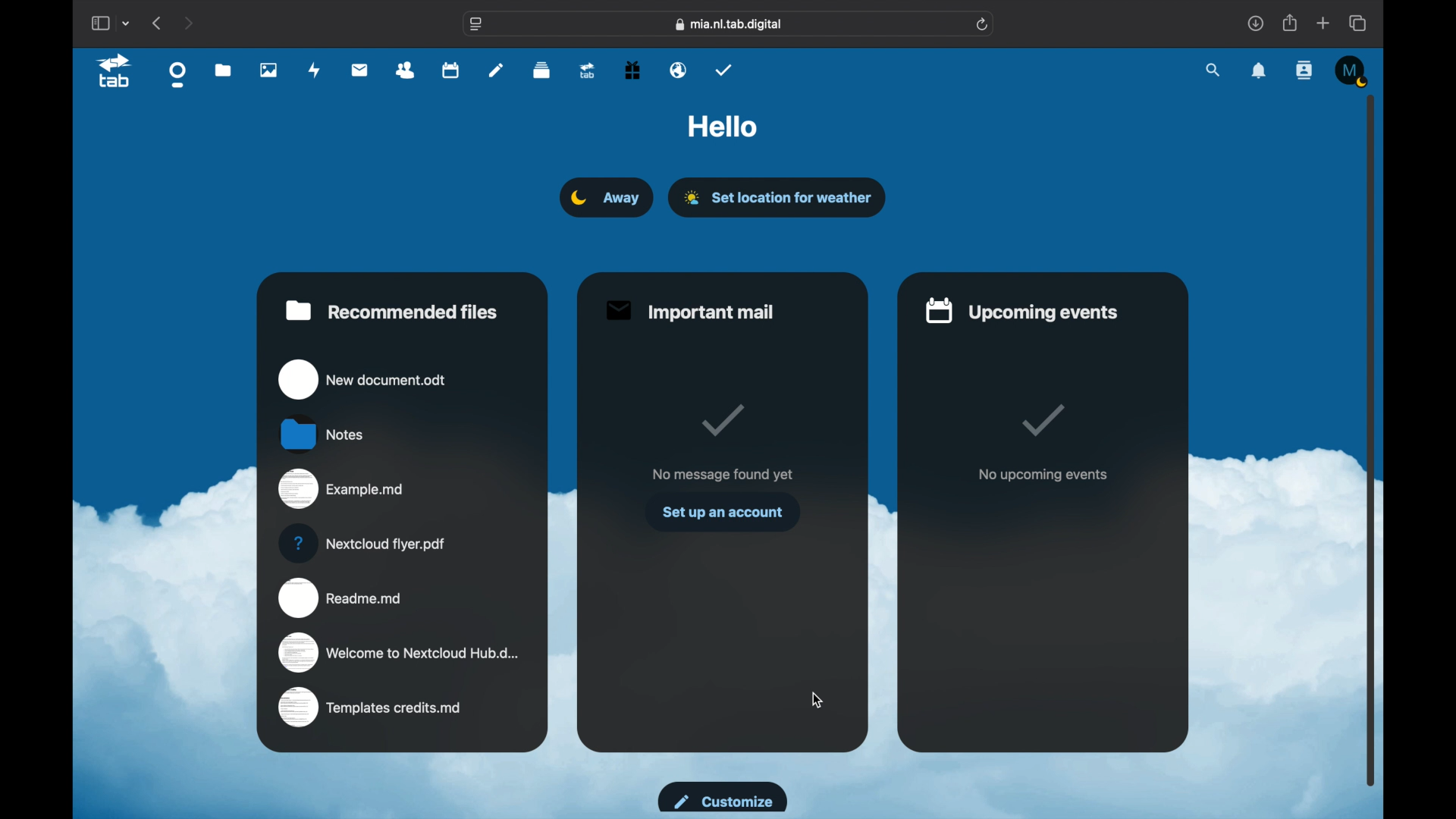 The height and width of the screenshot is (819, 1456). Describe the element at coordinates (722, 473) in the screenshot. I see `no message found yet` at that location.